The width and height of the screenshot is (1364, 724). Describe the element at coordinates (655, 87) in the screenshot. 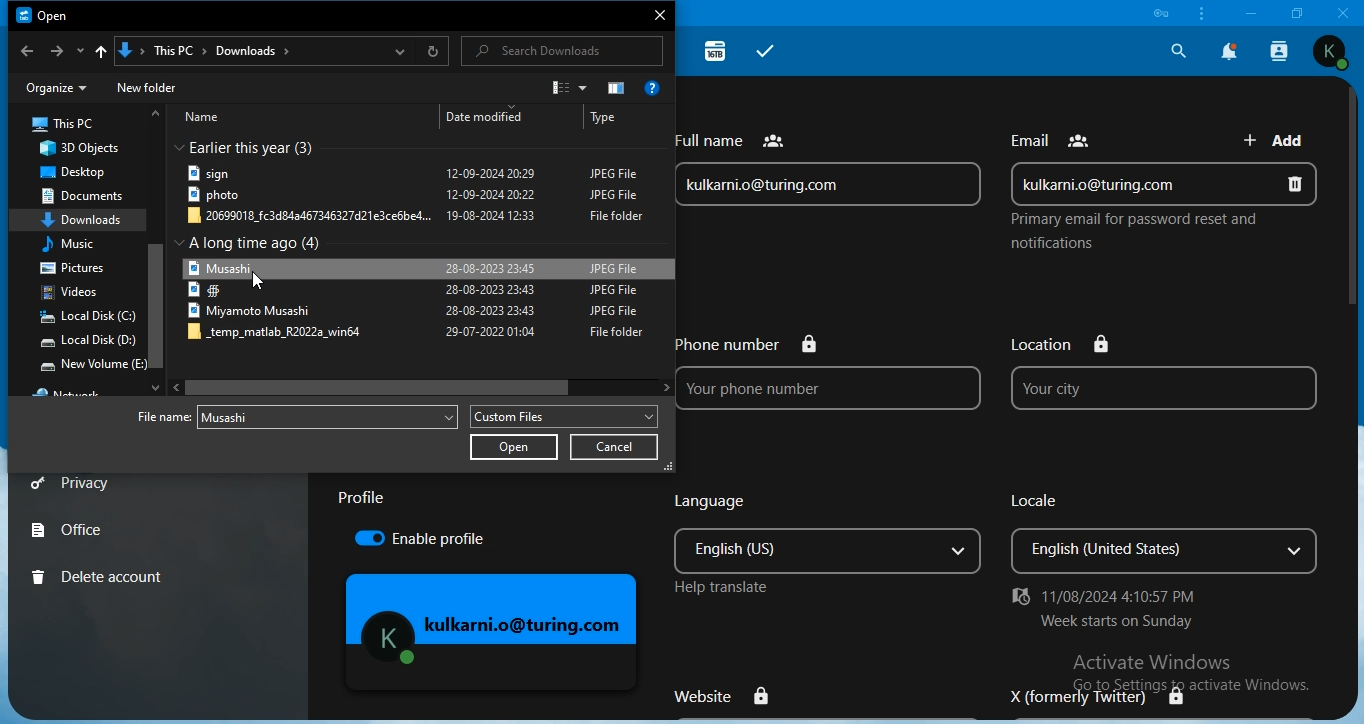

I see `get help` at that location.